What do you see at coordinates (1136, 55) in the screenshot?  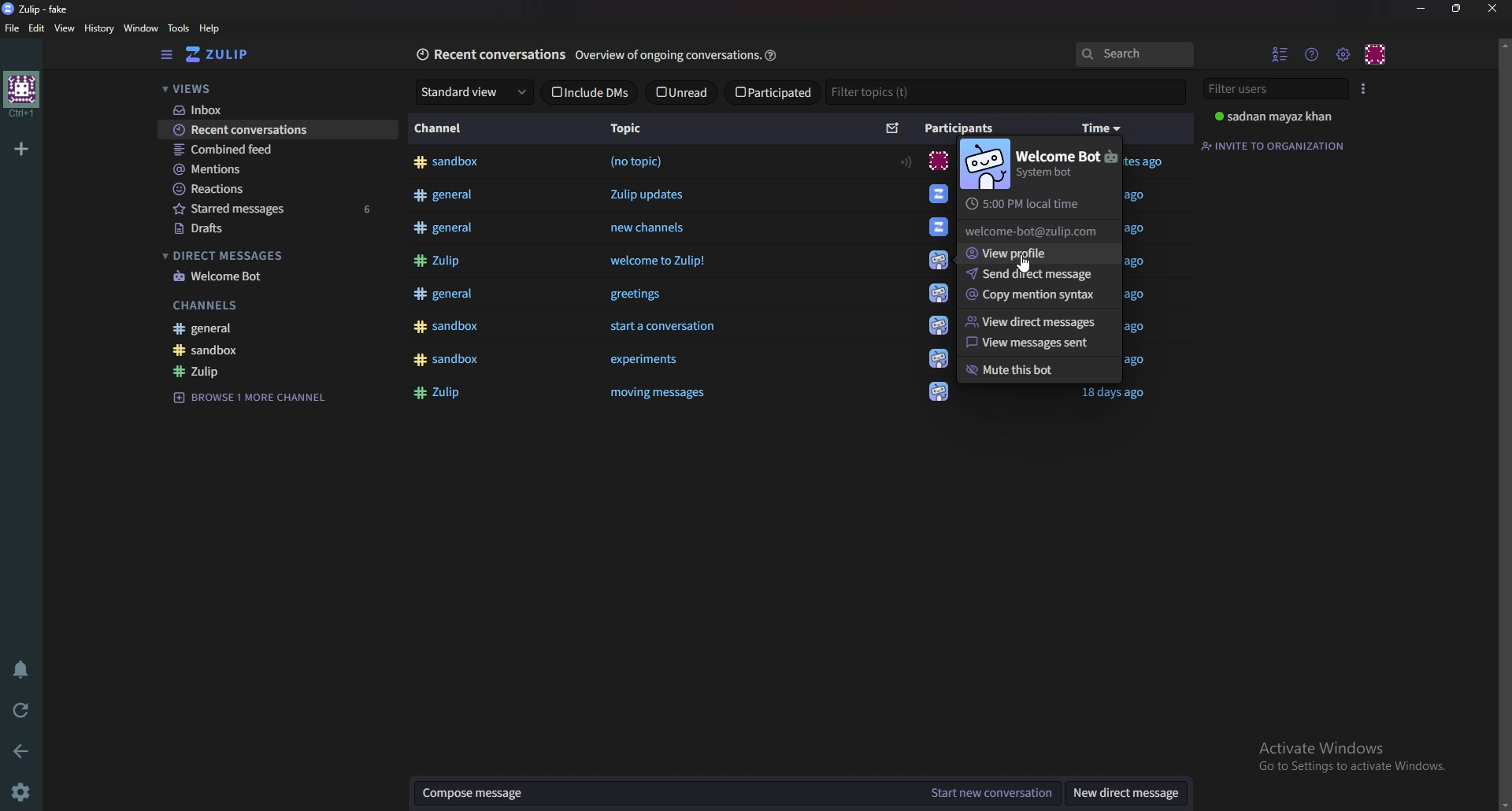 I see `search` at bounding box center [1136, 55].